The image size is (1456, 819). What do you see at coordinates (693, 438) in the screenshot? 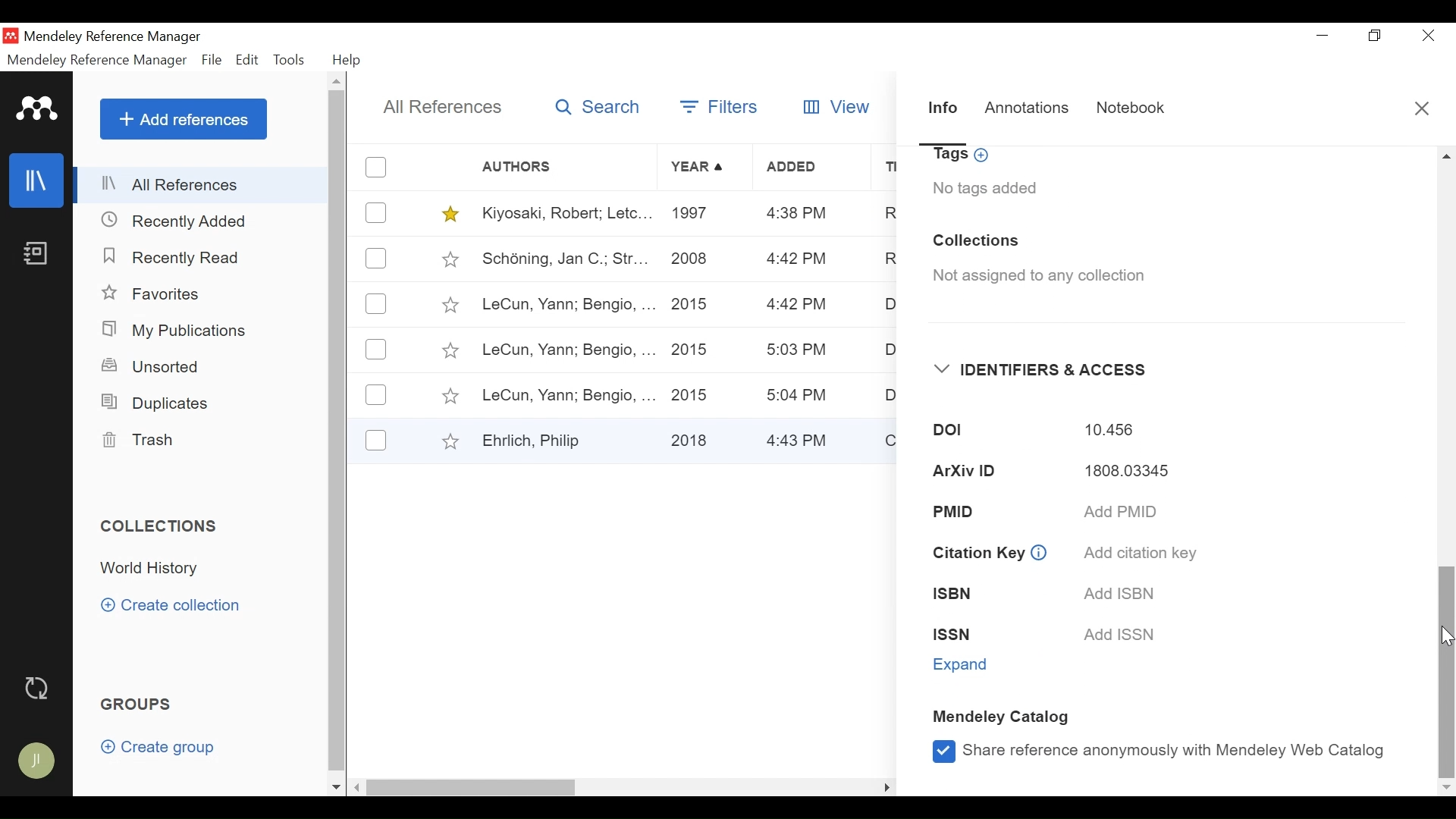
I see `2018` at bounding box center [693, 438].